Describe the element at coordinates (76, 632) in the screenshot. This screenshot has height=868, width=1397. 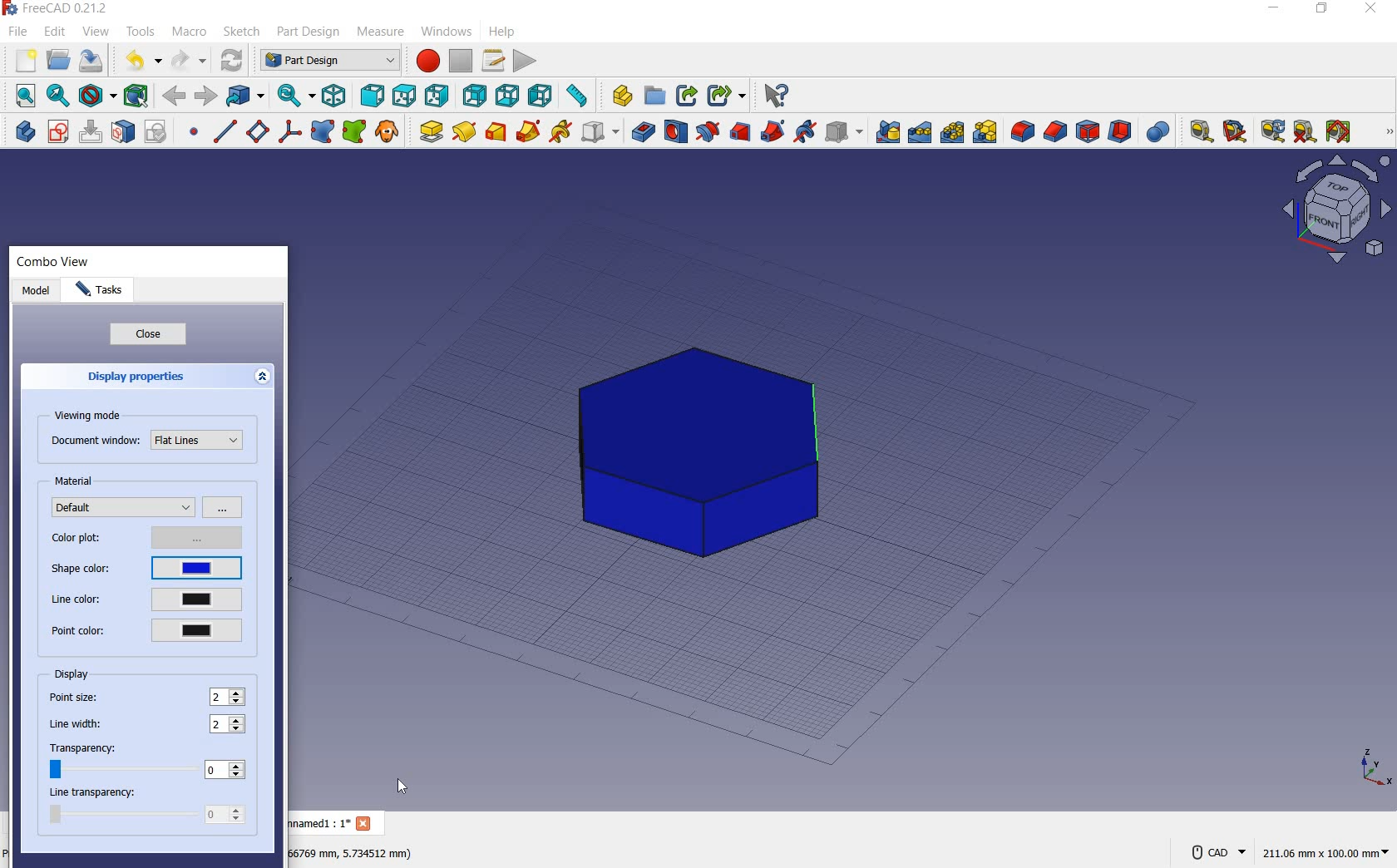
I see `point color` at that location.